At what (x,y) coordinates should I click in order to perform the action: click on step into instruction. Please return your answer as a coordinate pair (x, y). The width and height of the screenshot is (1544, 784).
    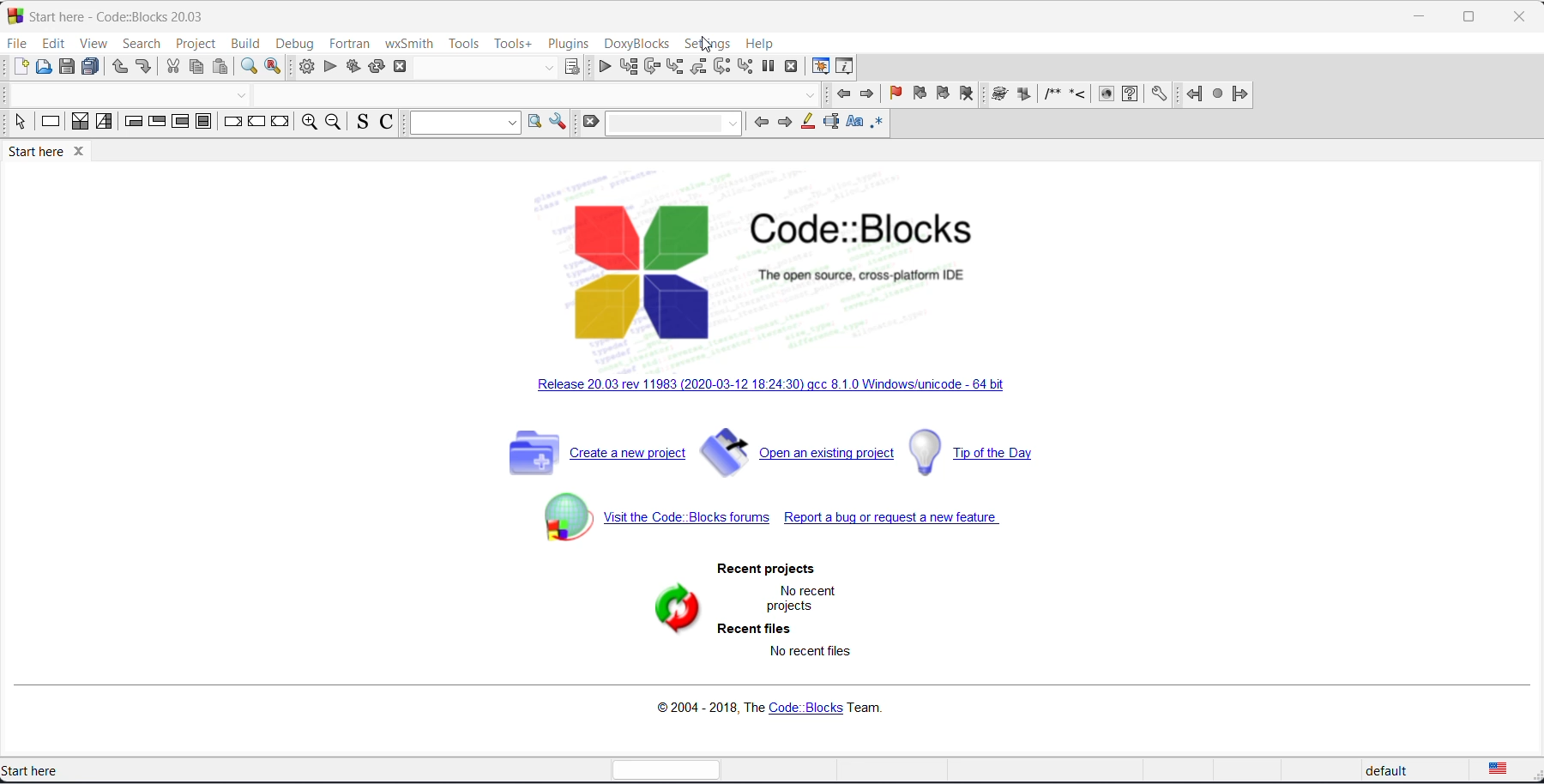
    Looking at the image, I should click on (745, 67).